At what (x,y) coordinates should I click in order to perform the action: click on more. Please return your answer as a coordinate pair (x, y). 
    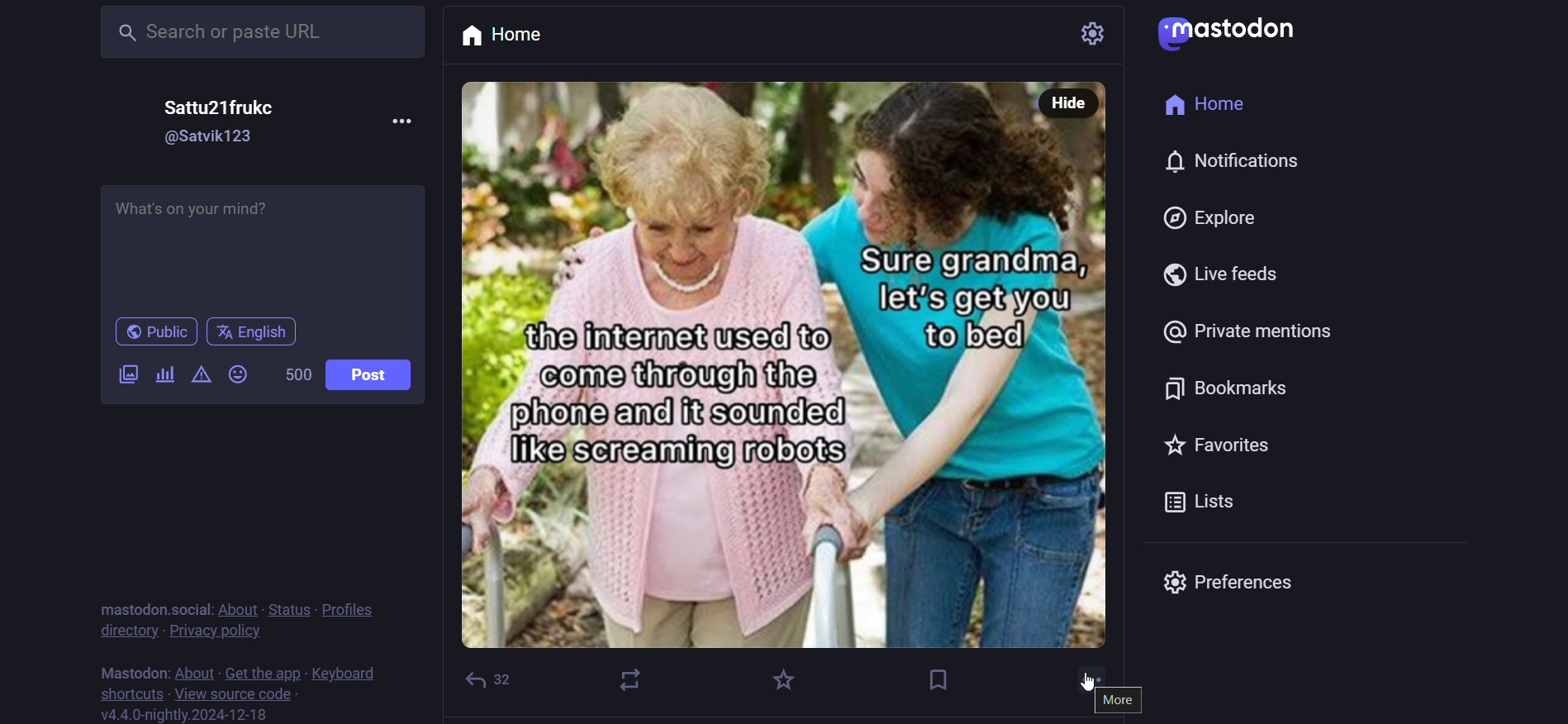
    Looking at the image, I should click on (401, 123).